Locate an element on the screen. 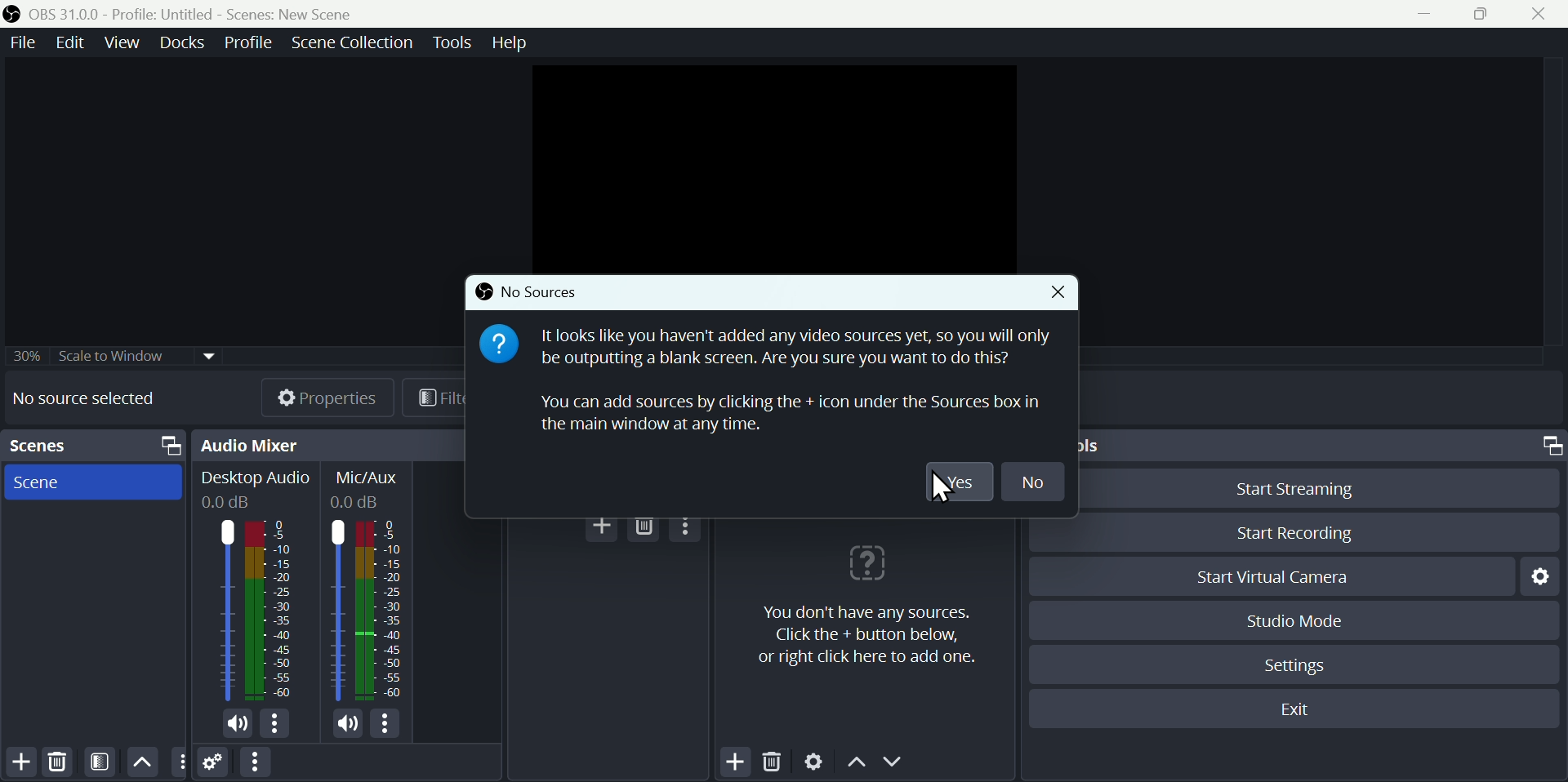 This screenshot has width=1568, height=782. speaker is located at coordinates (344, 725).